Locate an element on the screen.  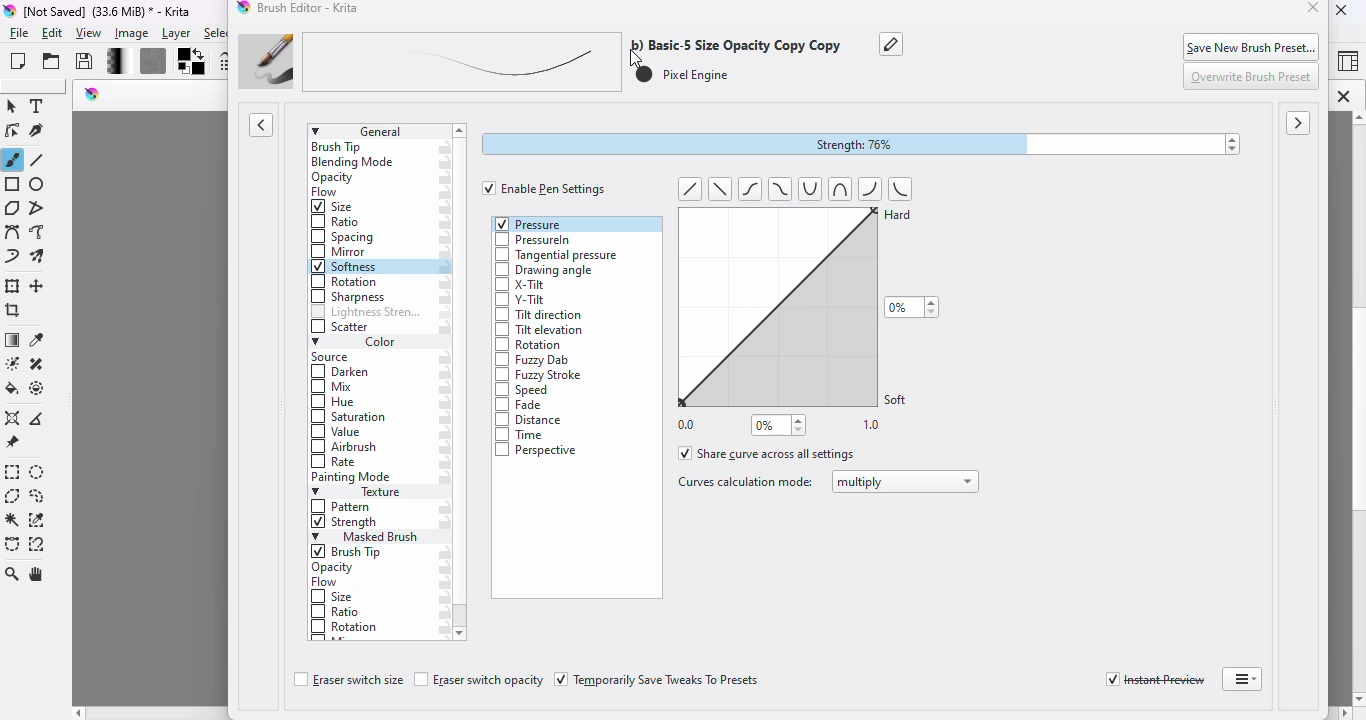
tild is located at coordinates (777, 188).